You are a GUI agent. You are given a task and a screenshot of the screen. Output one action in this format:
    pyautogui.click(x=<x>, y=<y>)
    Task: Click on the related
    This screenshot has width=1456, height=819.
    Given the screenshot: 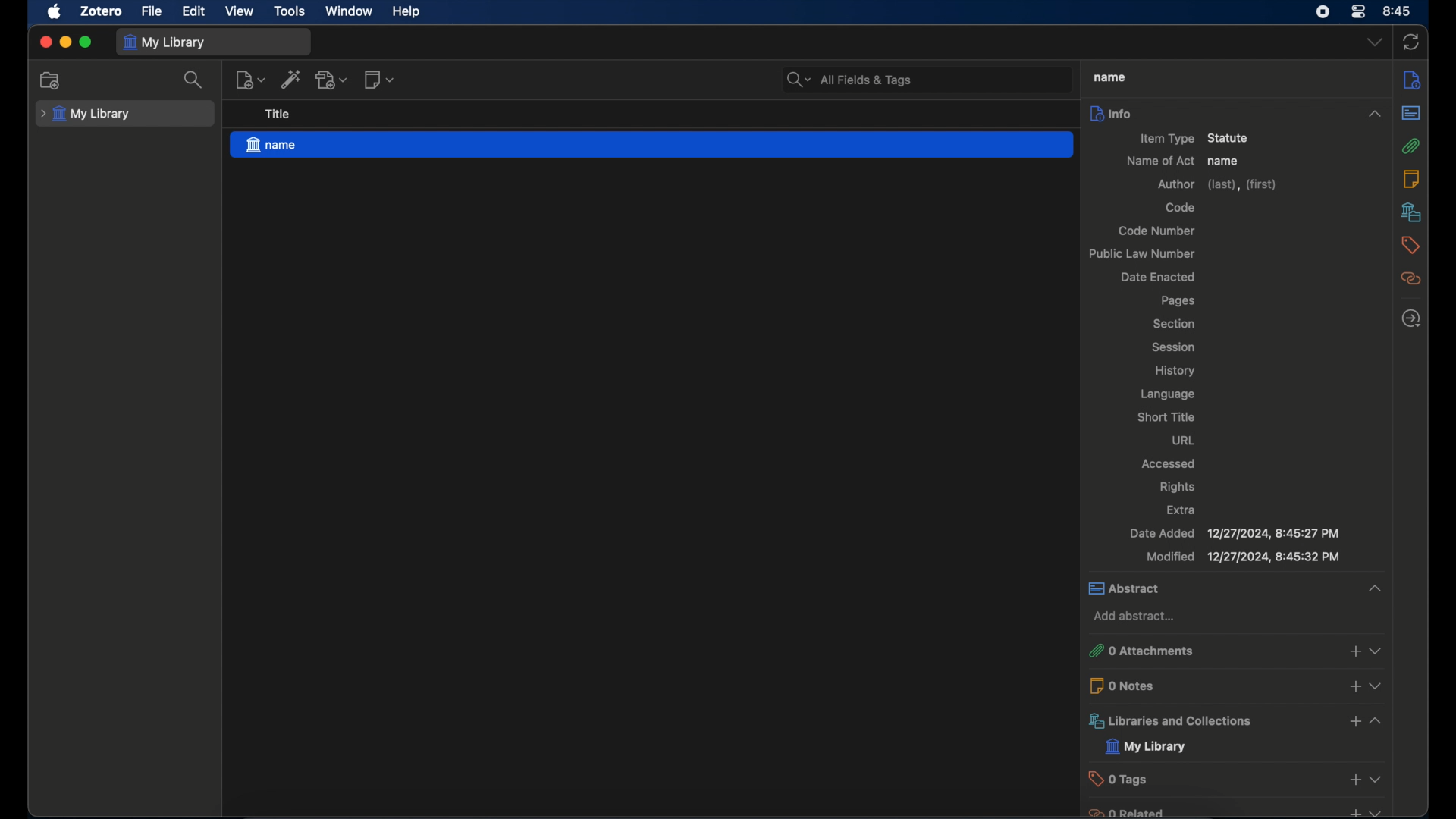 What is the action you would take?
    pyautogui.click(x=1410, y=279)
    